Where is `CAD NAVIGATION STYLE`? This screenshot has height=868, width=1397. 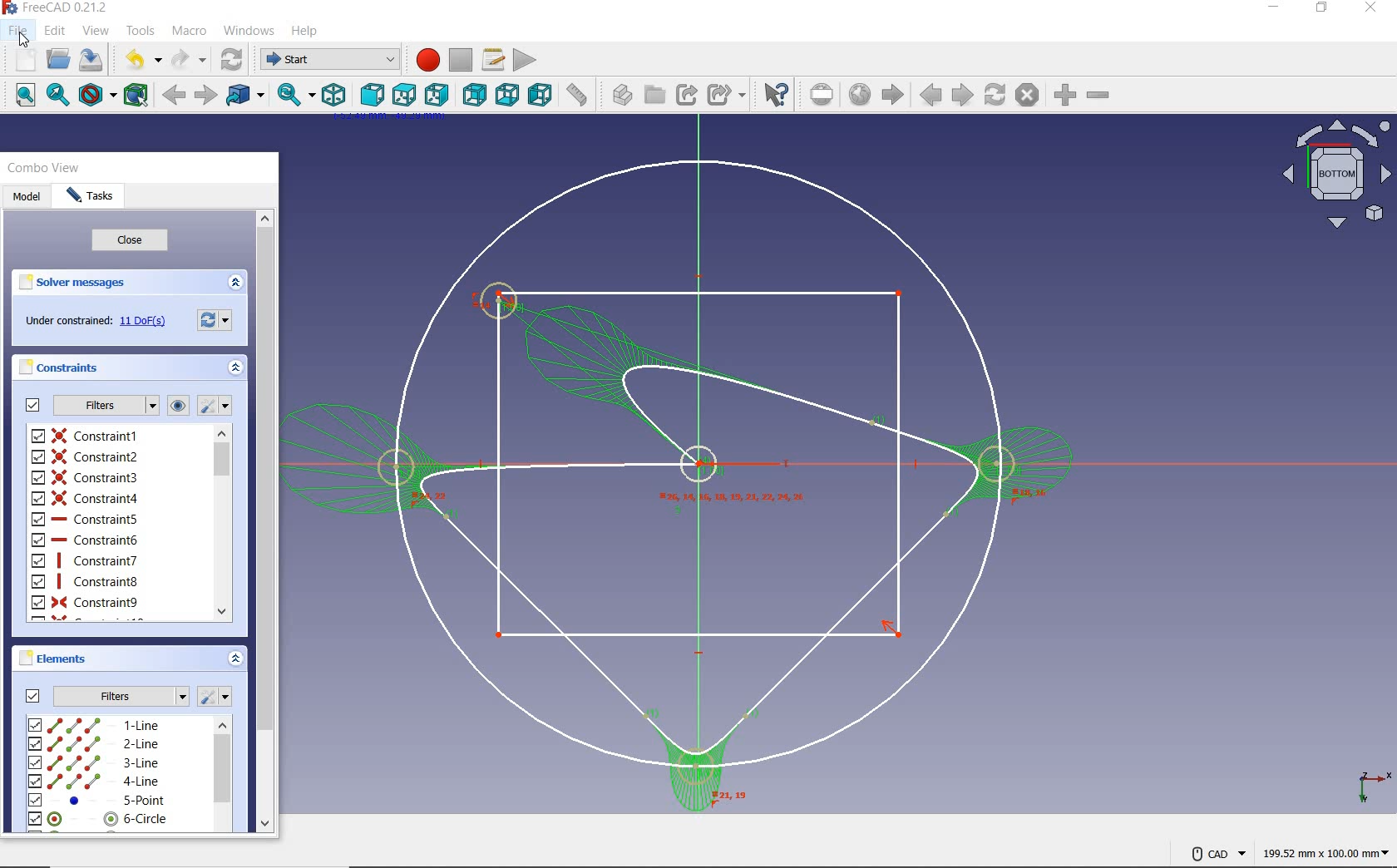
CAD NAVIGATION STYLE is located at coordinates (1209, 852).